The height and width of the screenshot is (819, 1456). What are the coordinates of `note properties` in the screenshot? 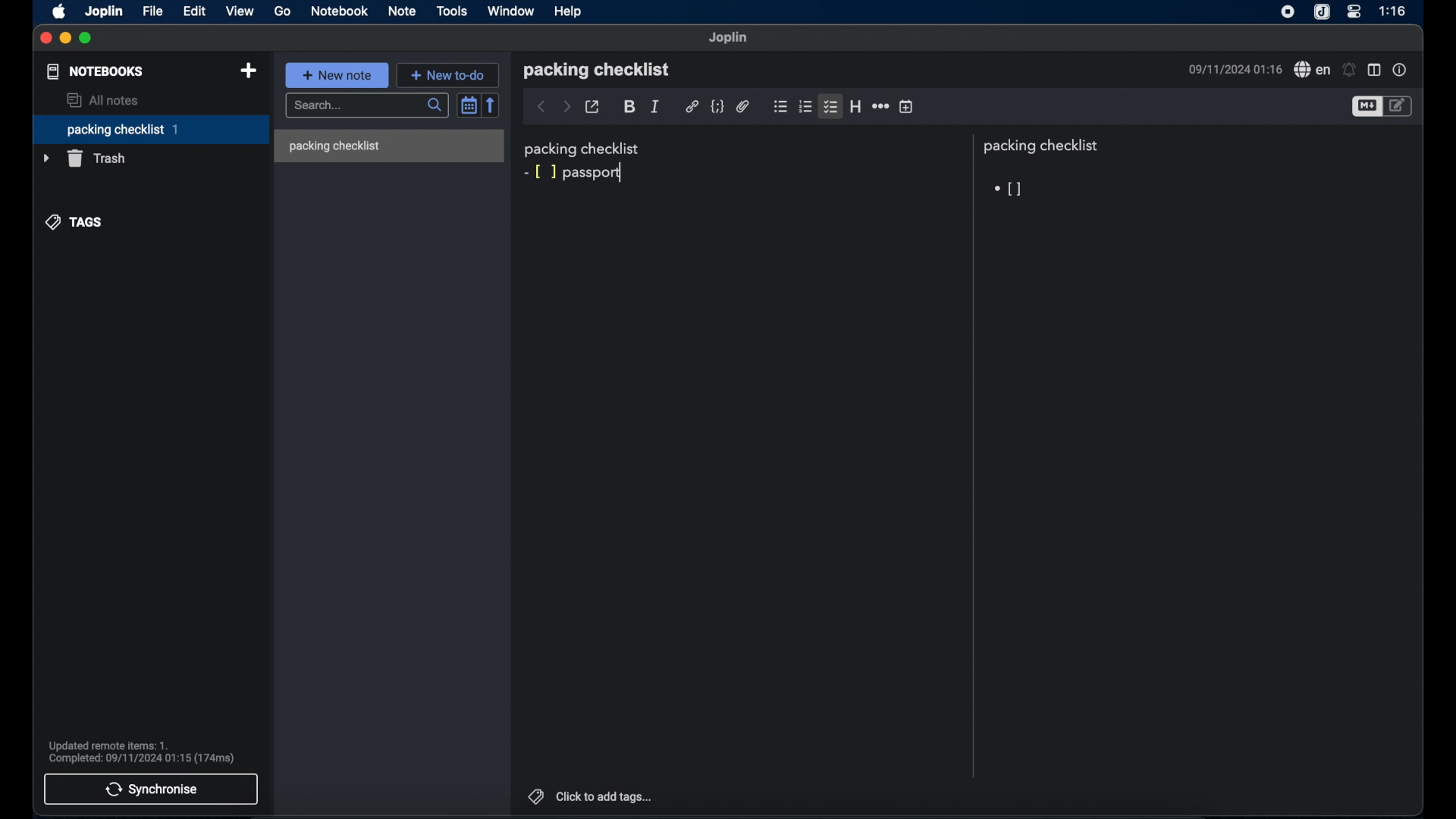 It's located at (1401, 70).